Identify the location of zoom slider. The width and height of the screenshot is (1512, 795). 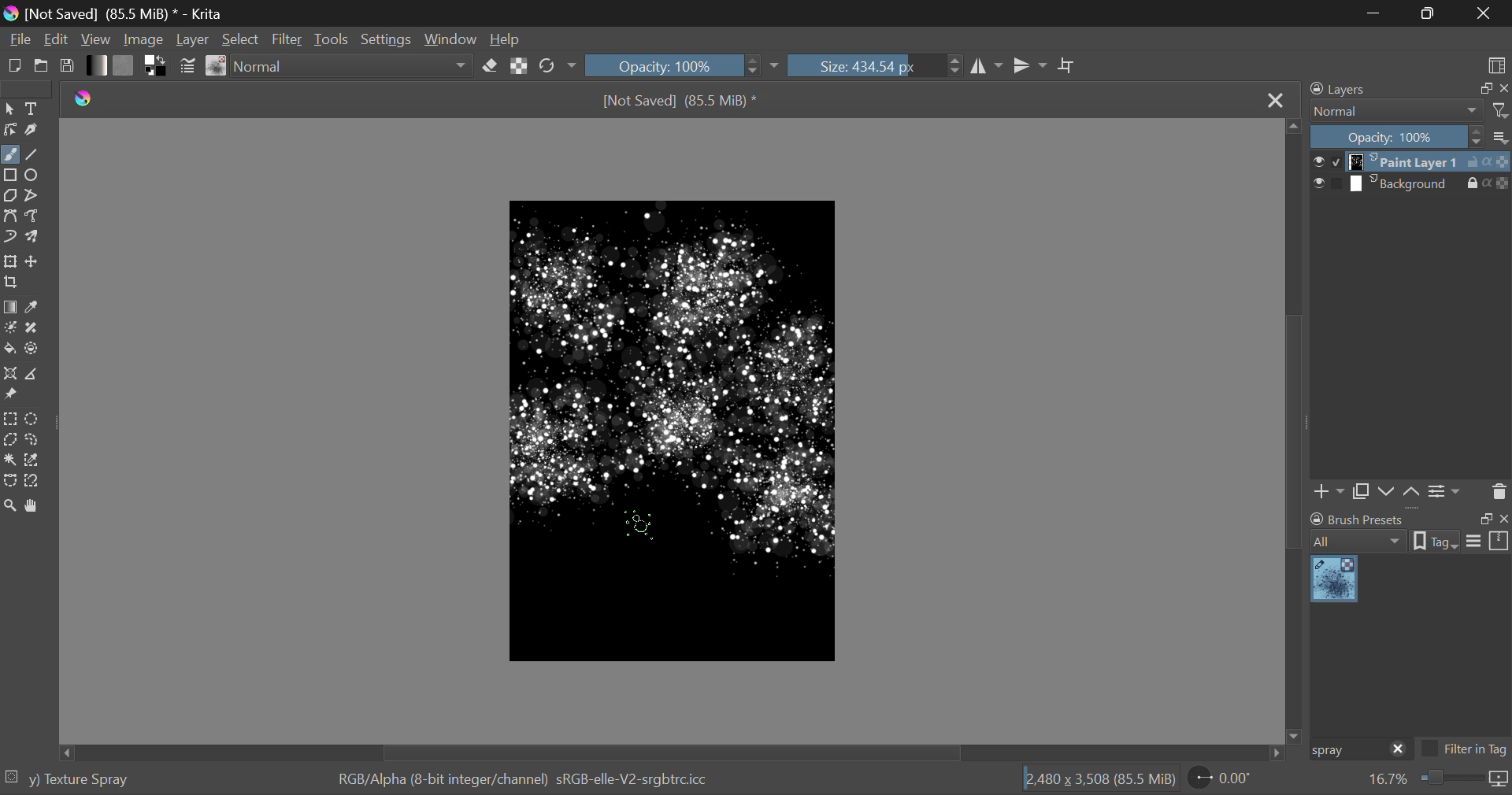
(1450, 779).